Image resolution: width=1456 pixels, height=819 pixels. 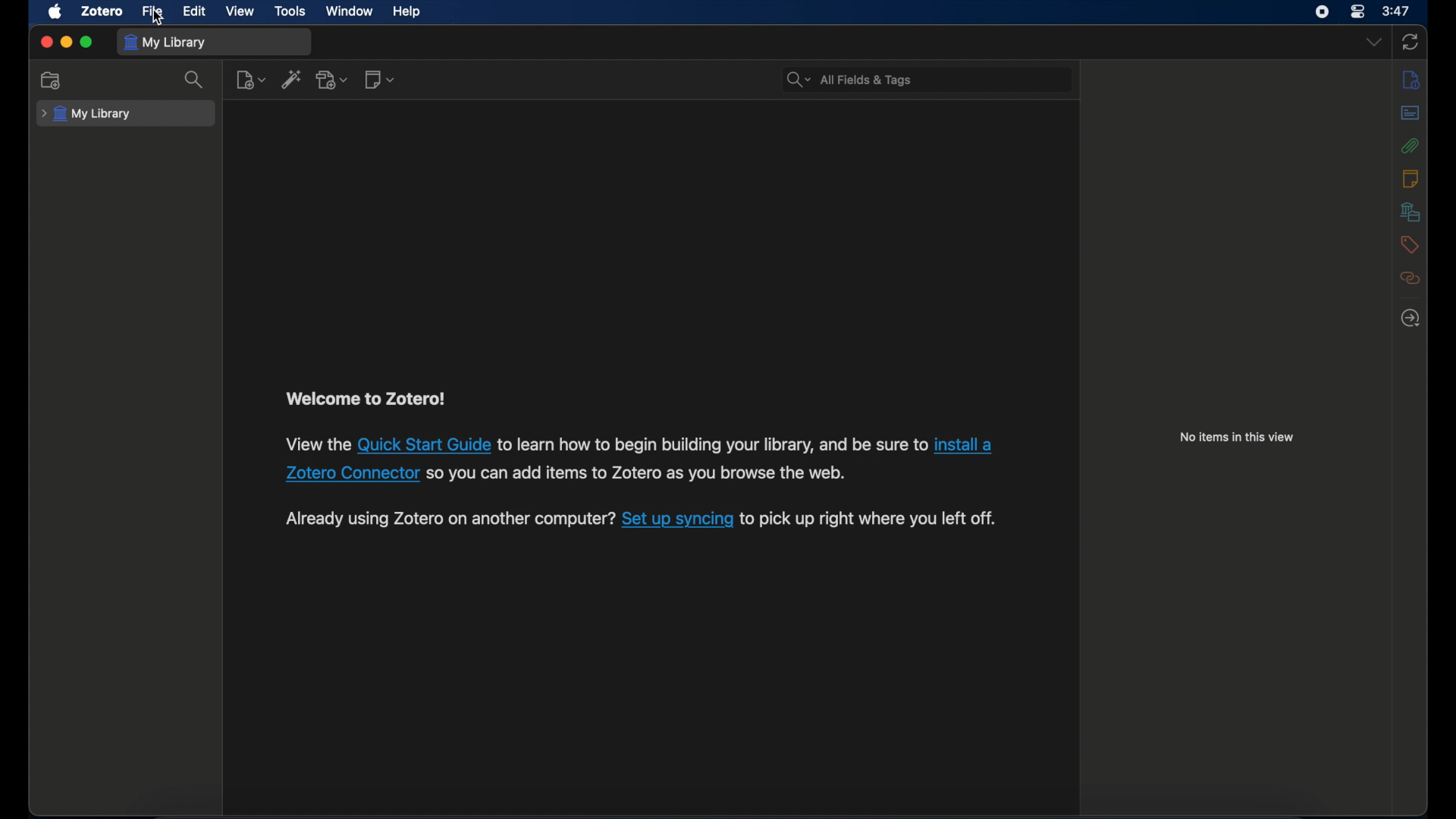 I want to click on apple, so click(x=55, y=12).